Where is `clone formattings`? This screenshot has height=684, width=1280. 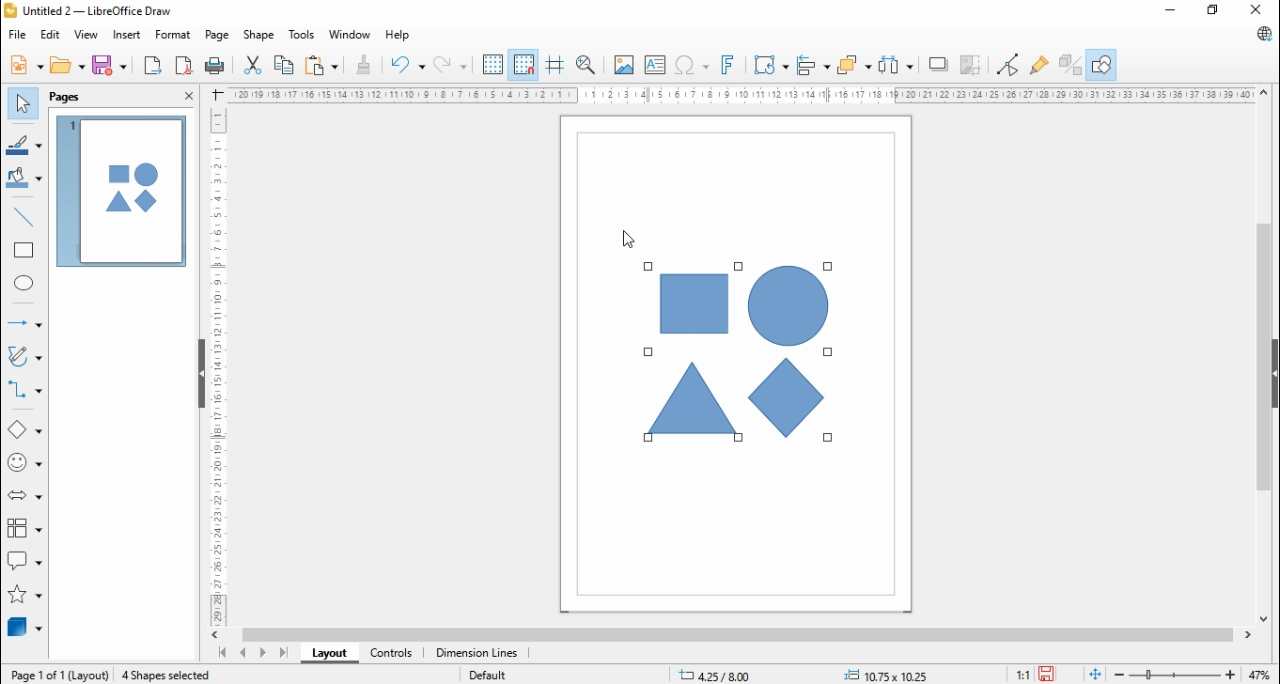 clone formattings is located at coordinates (363, 65).